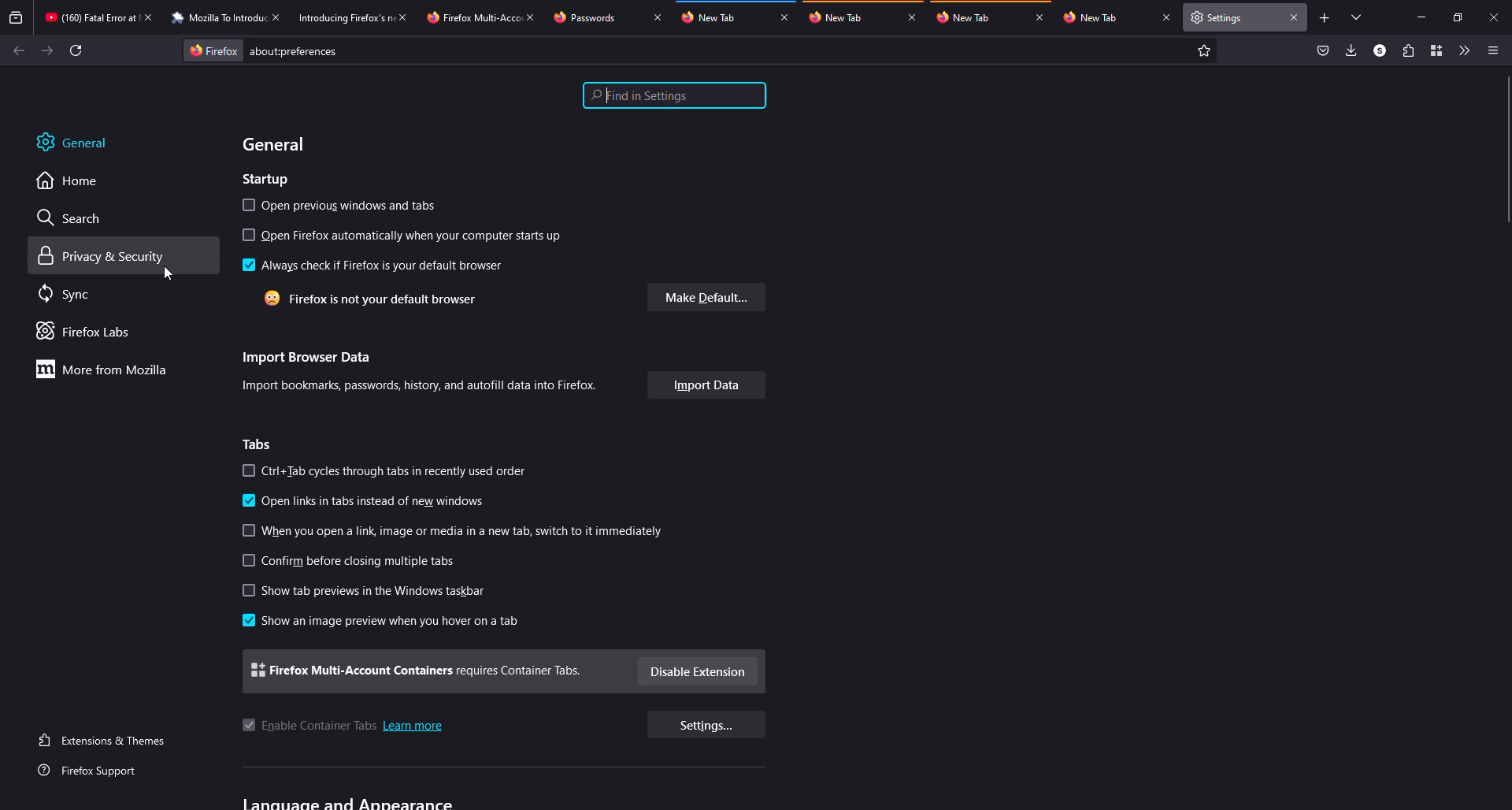 The width and height of the screenshot is (1512, 810). Describe the element at coordinates (1436, 50) in the screenshot. I see `container` at that location.